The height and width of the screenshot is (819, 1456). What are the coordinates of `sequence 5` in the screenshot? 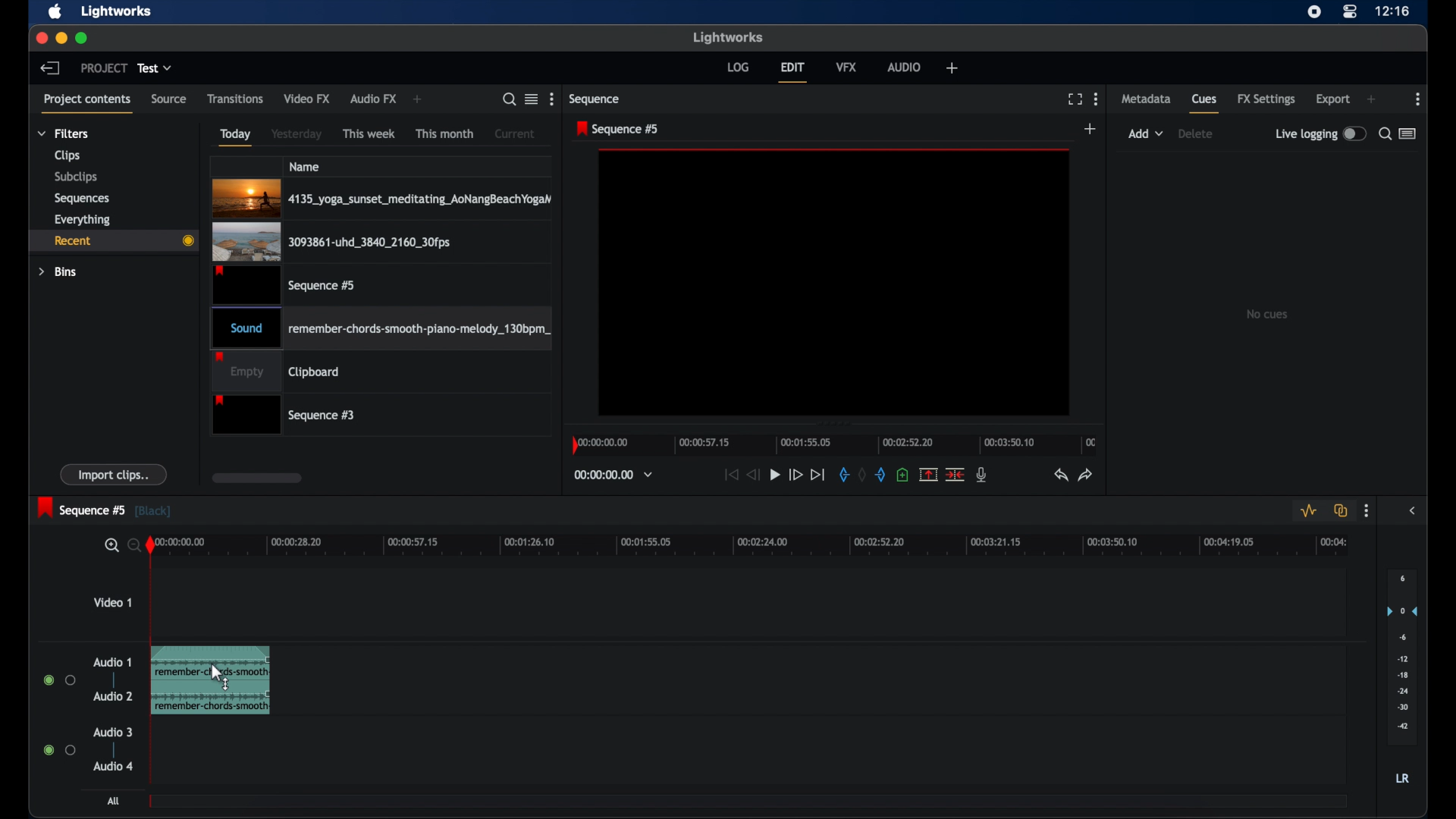 It's located at (104, 508).